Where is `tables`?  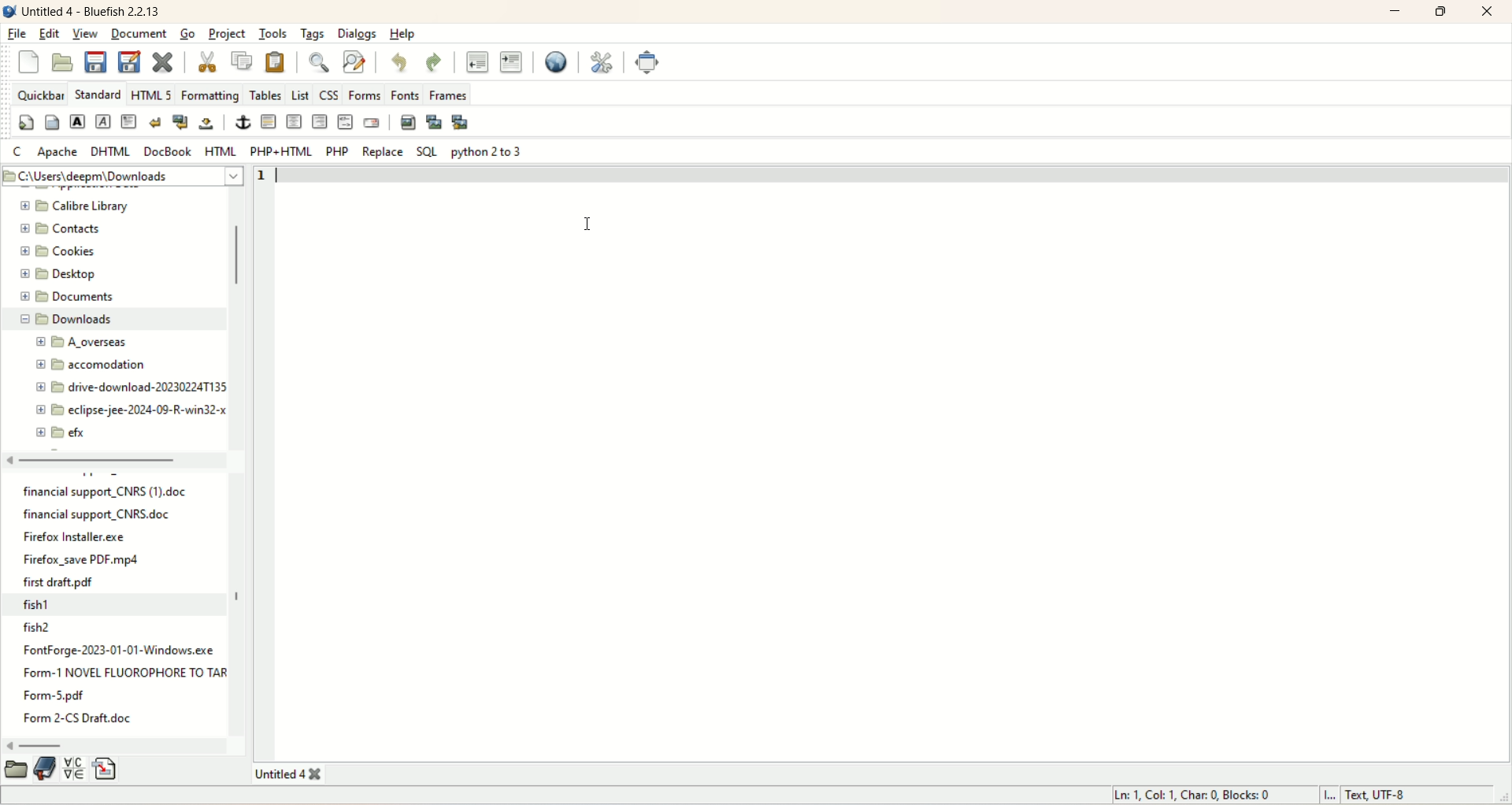
tables is located at coordinates (266, 94).